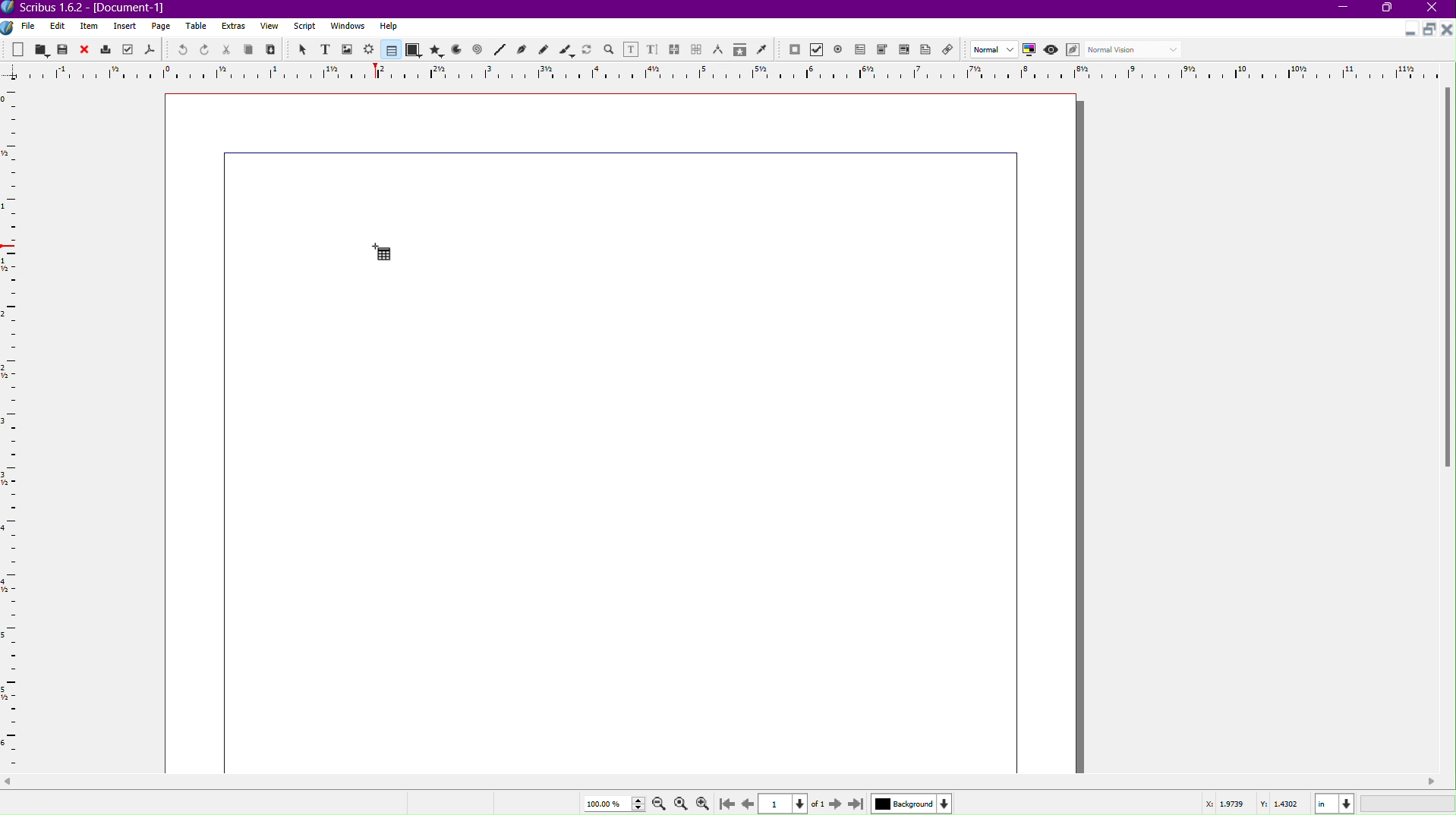 The height and width of the screenshot is (815, 1456). Describe the element at coordinates (125, 50) in the screenshot. I see `Preflight Verifier` at that location.